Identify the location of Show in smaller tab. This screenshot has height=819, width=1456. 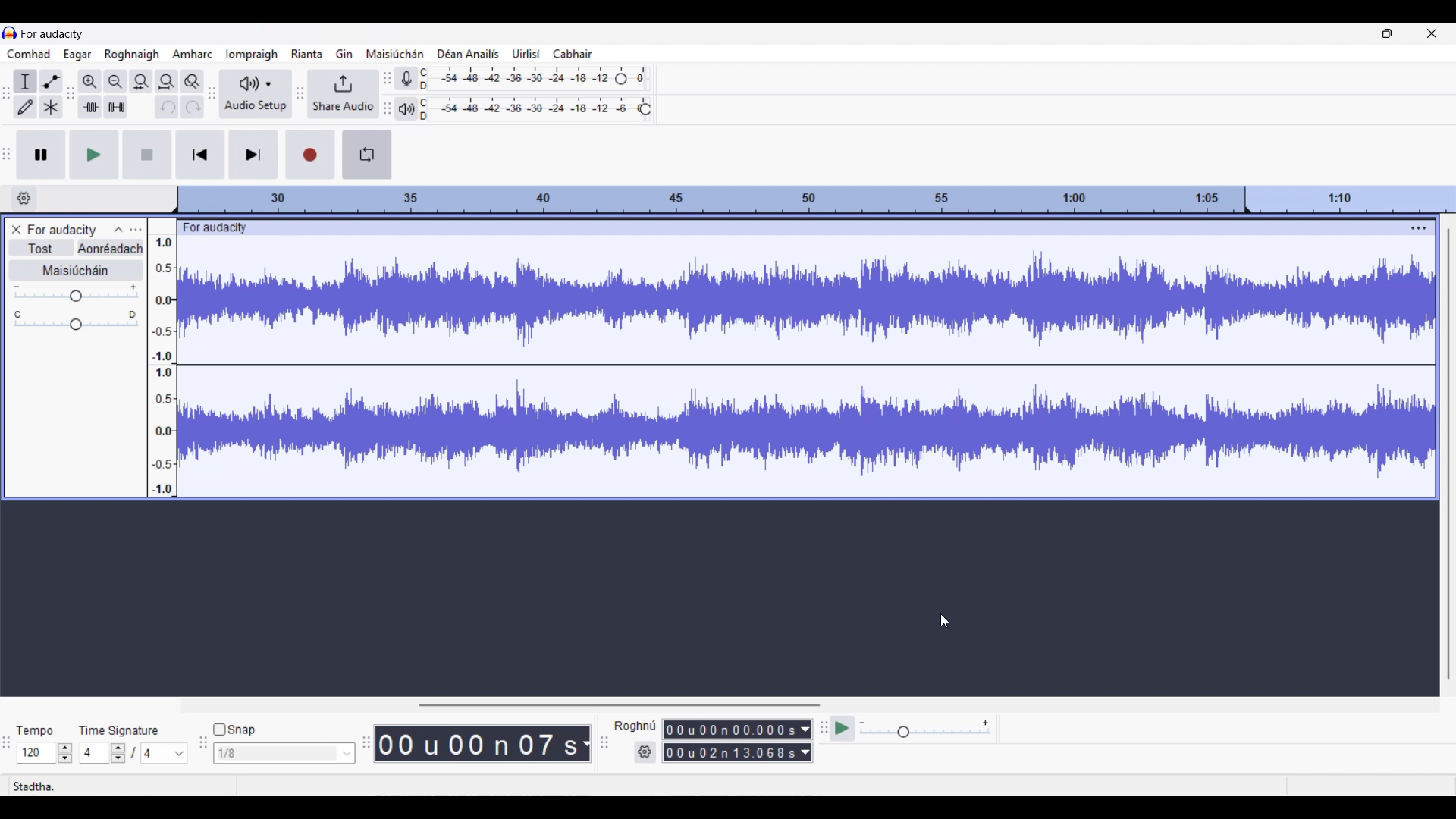
(1387, 33).